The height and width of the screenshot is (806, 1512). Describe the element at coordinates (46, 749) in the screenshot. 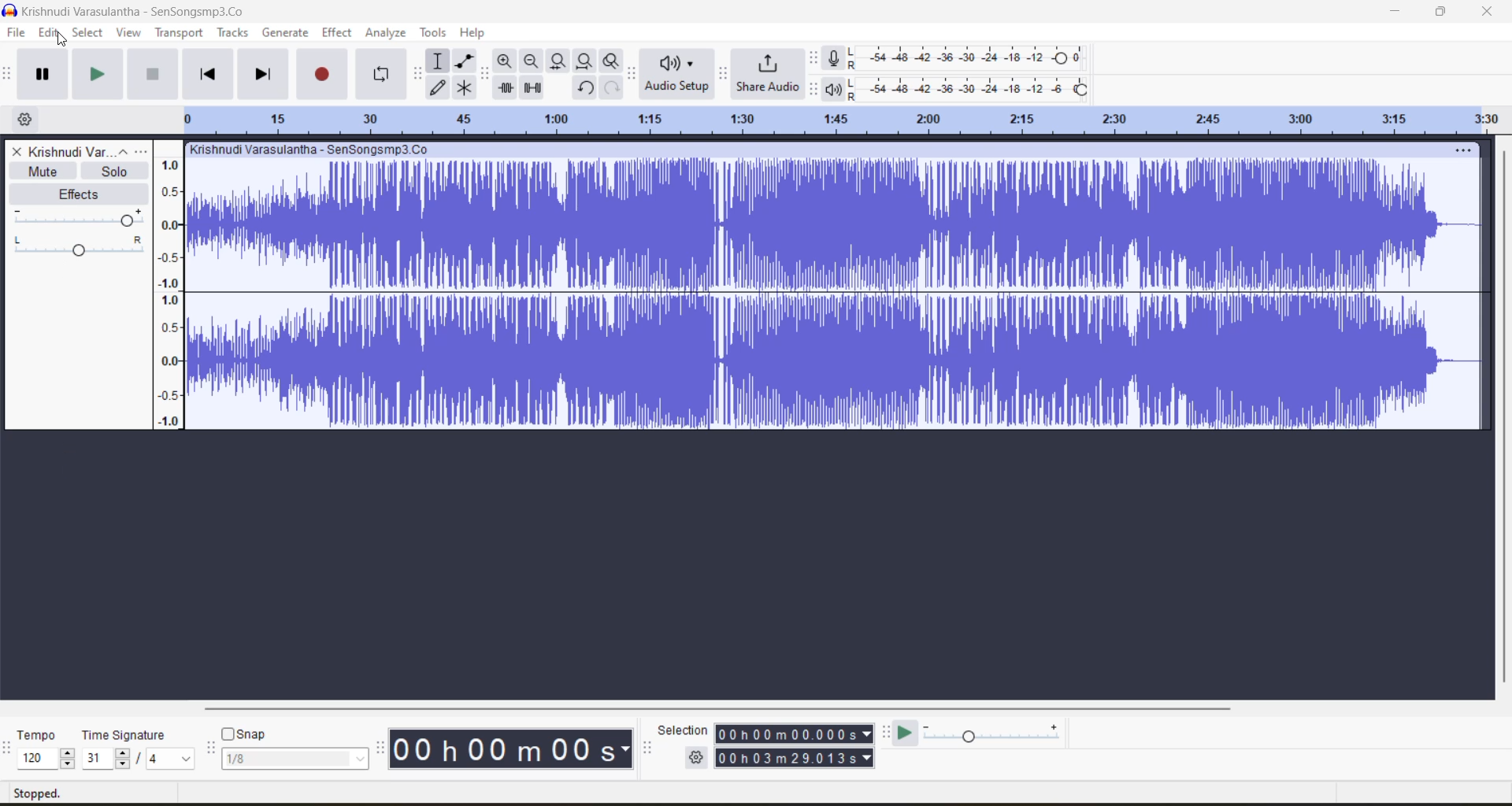

I see `tempo` at that location.